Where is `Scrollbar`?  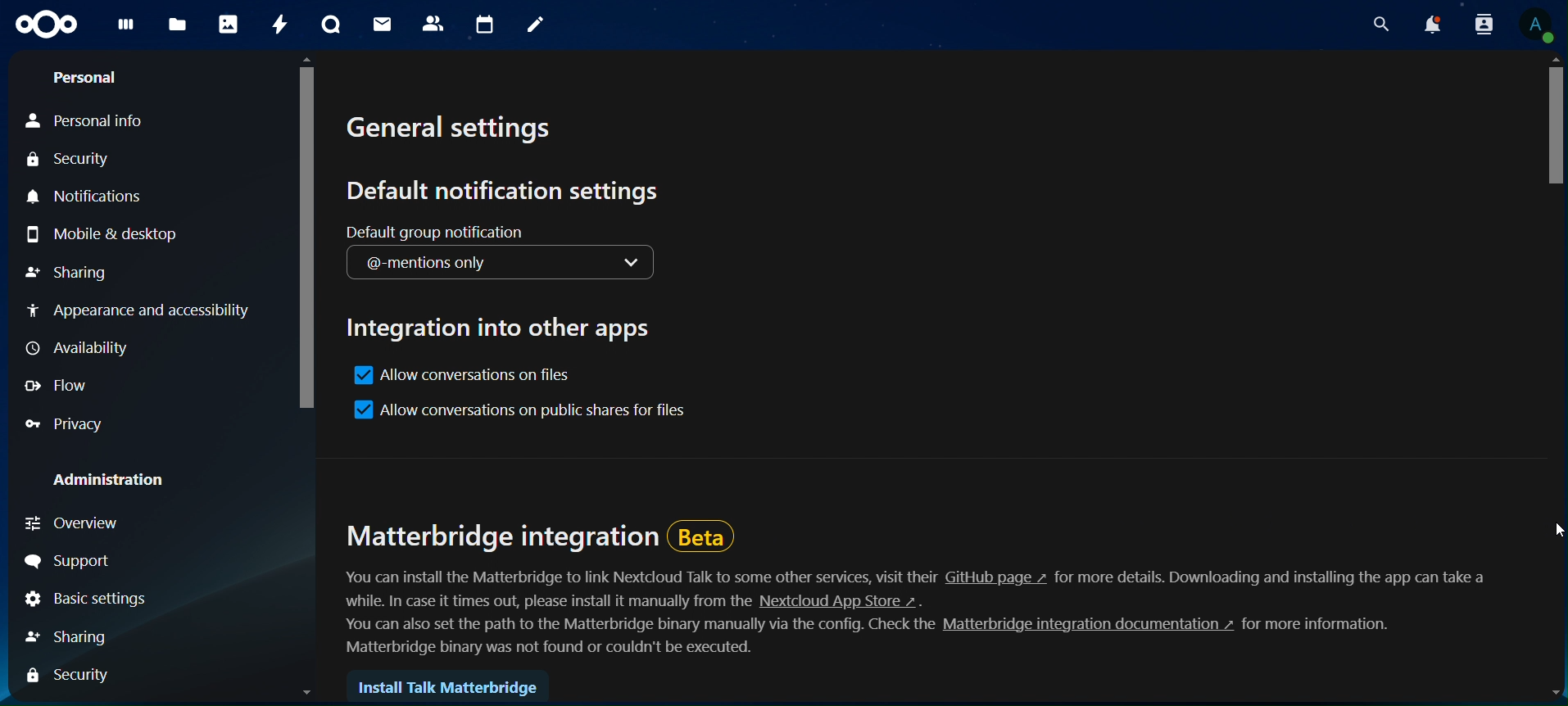 Scrollbar is located at coordinates (1552, 376).